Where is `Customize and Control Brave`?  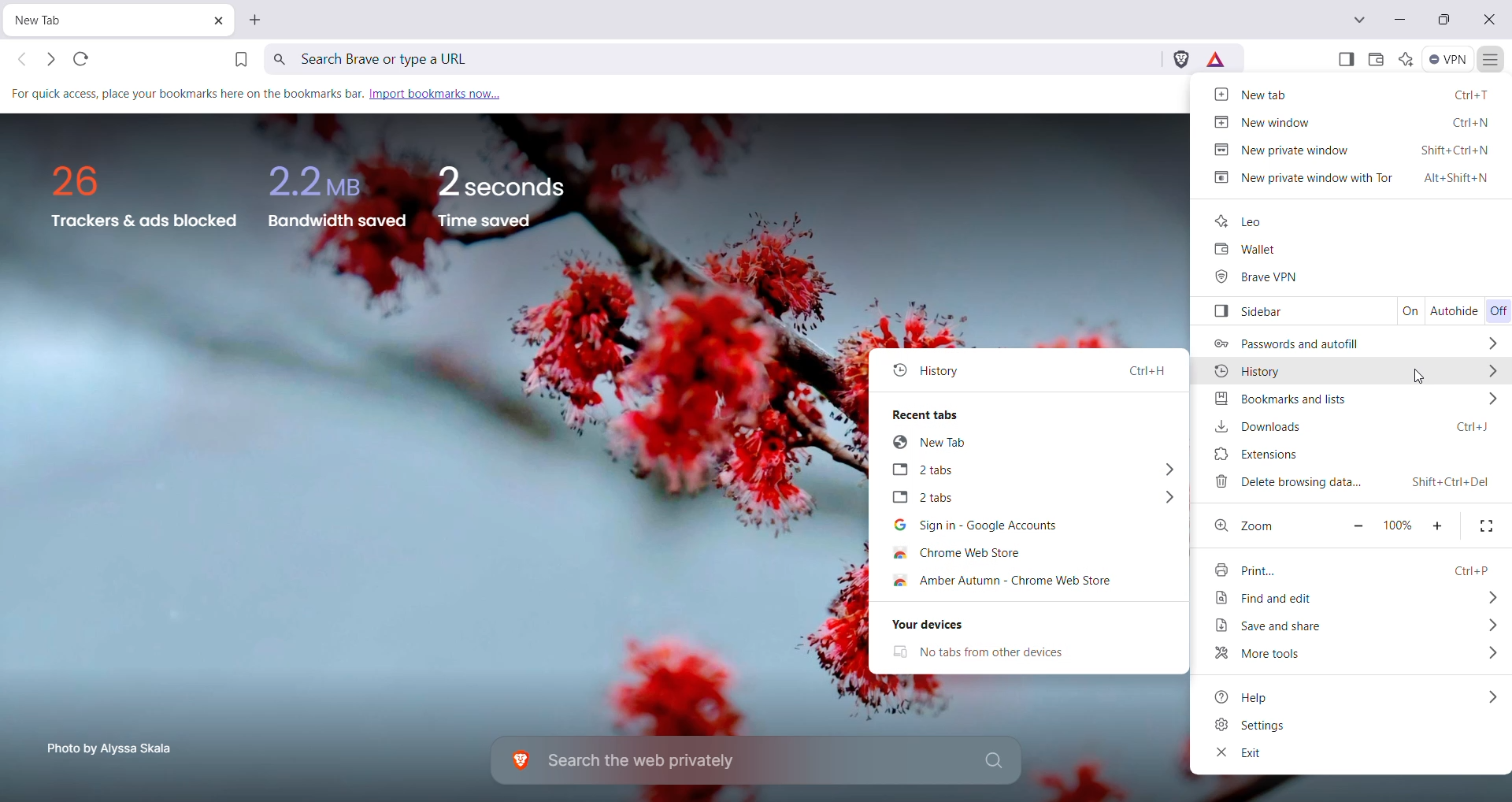
Customize and Control Brave is located at coordinates (1492, 60).